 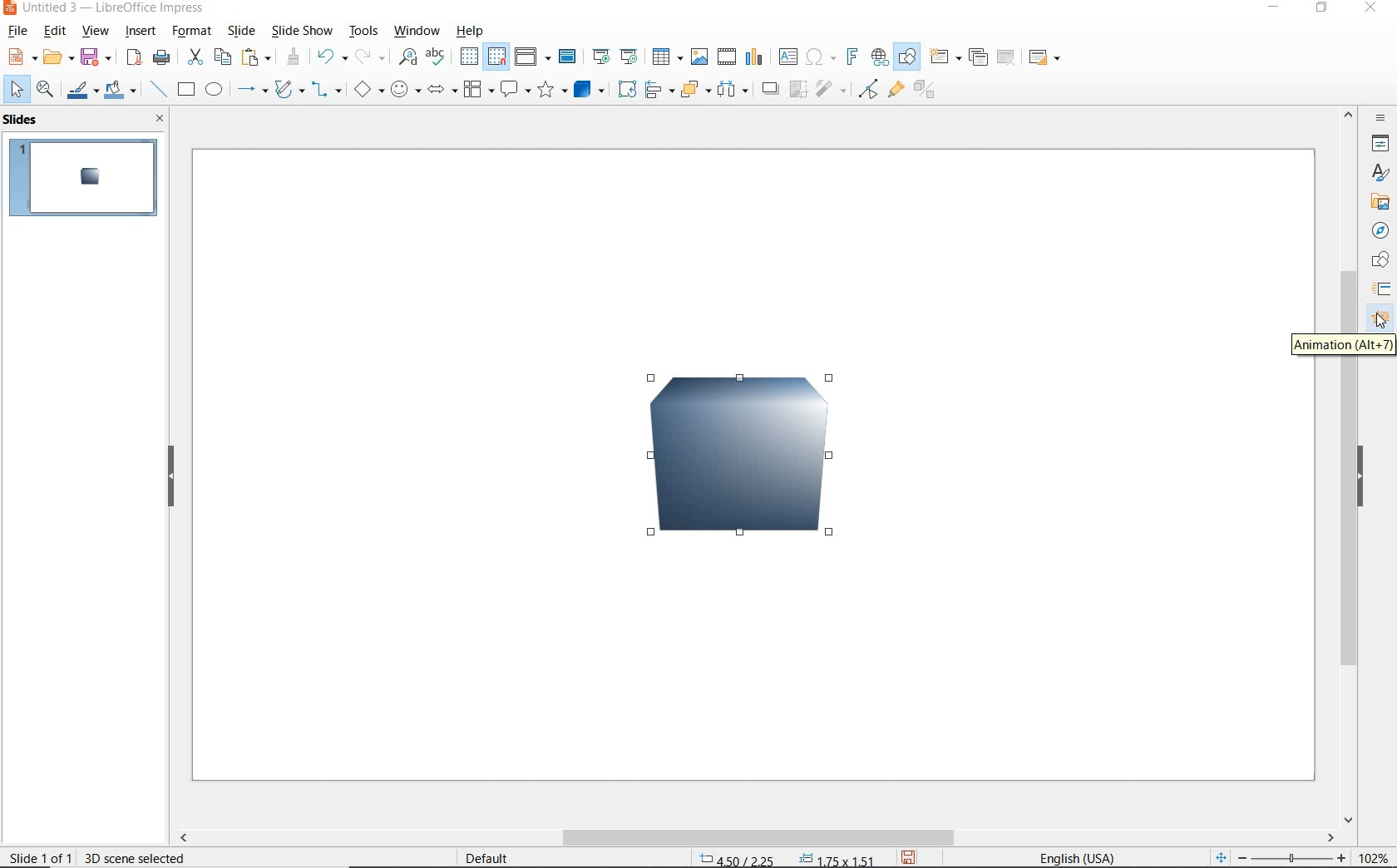 What do you see at coordinates (667, 57) in the screenshot?
I see `insert table` at bounding box center [667, 57].